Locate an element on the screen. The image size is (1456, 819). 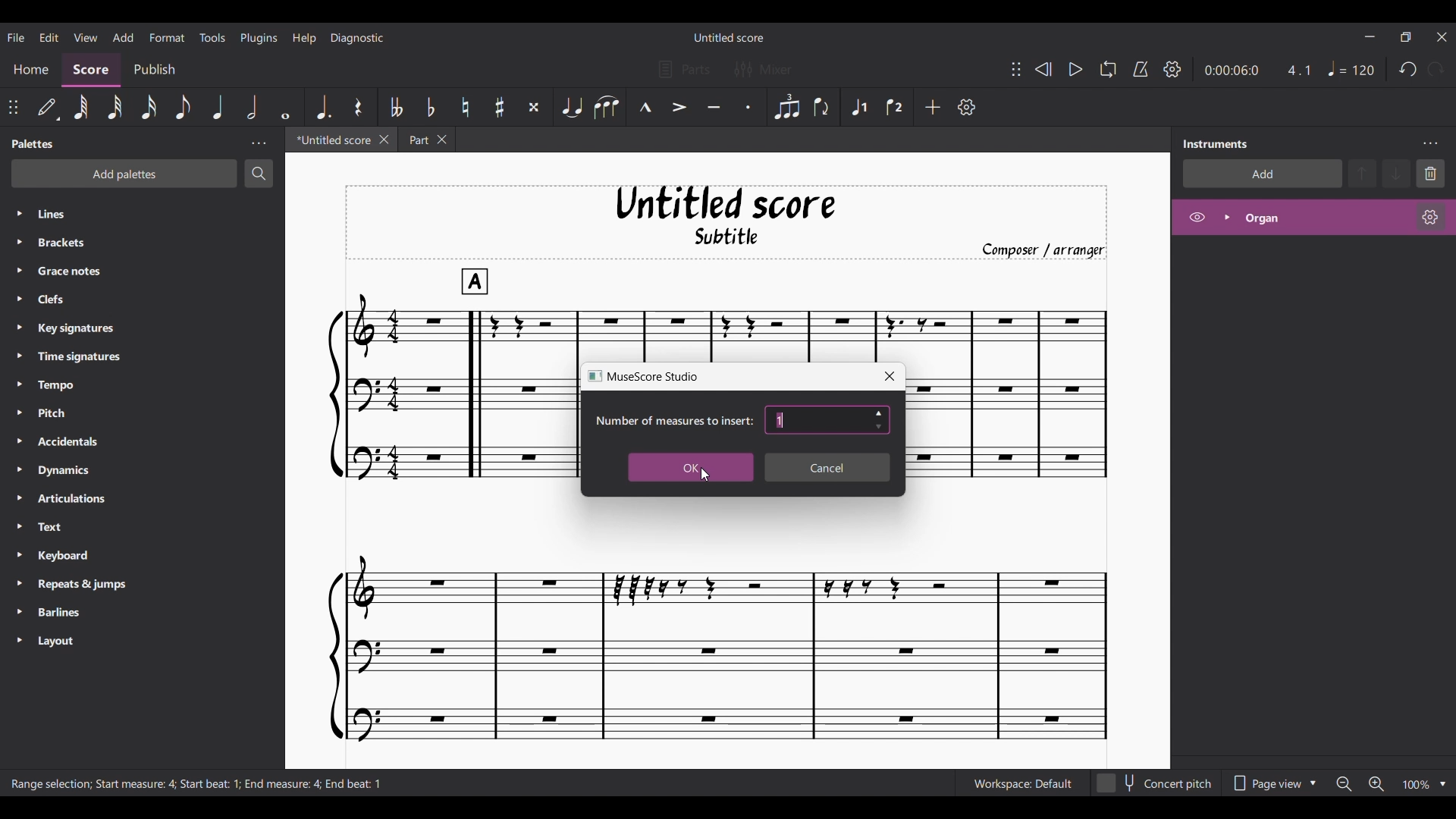
Title, sub-title, and composer name is located at coordinates (727, 222).